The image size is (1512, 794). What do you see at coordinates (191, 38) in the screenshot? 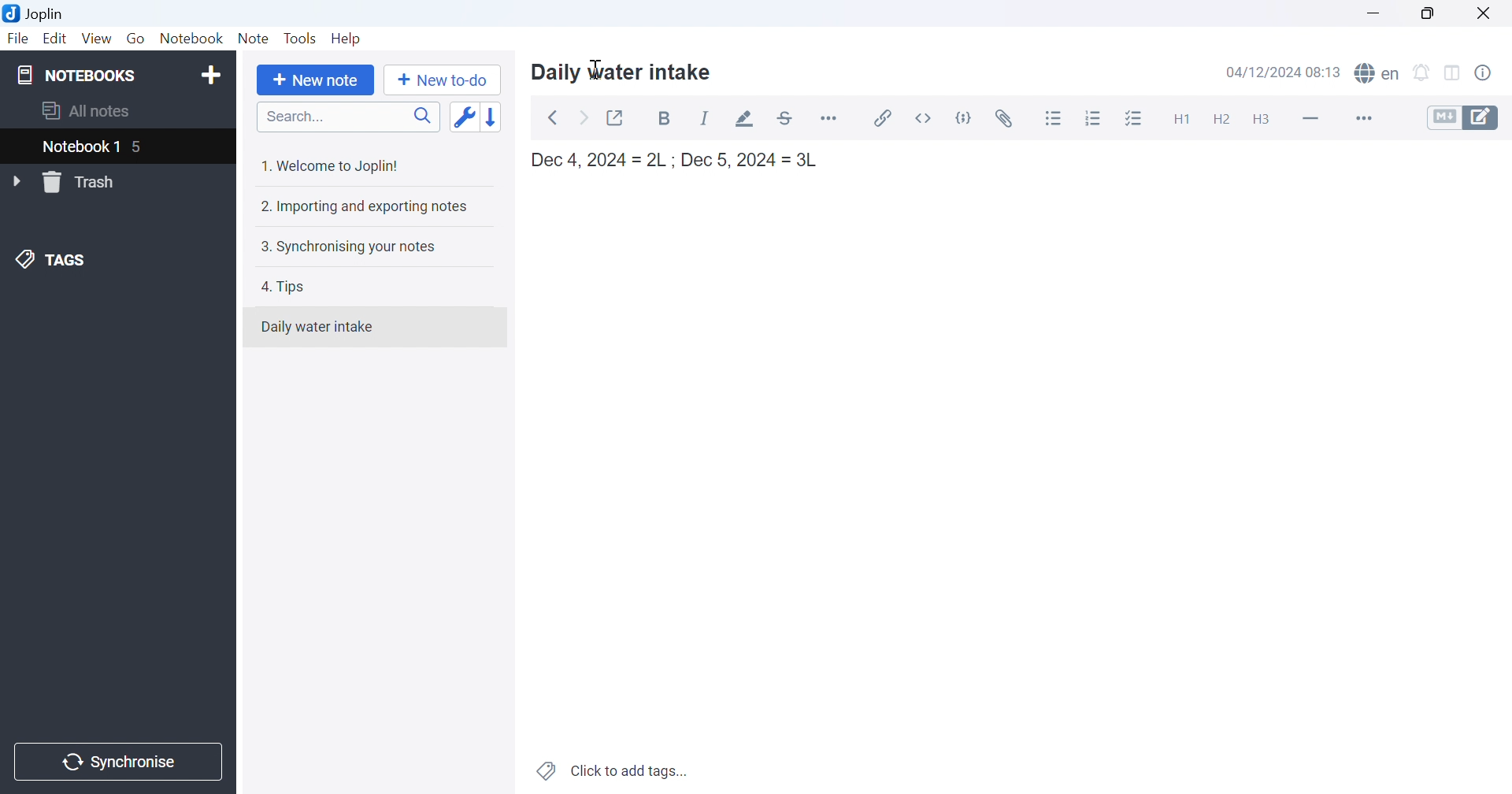
I see `Notebook` at bounding box center [191, 38].